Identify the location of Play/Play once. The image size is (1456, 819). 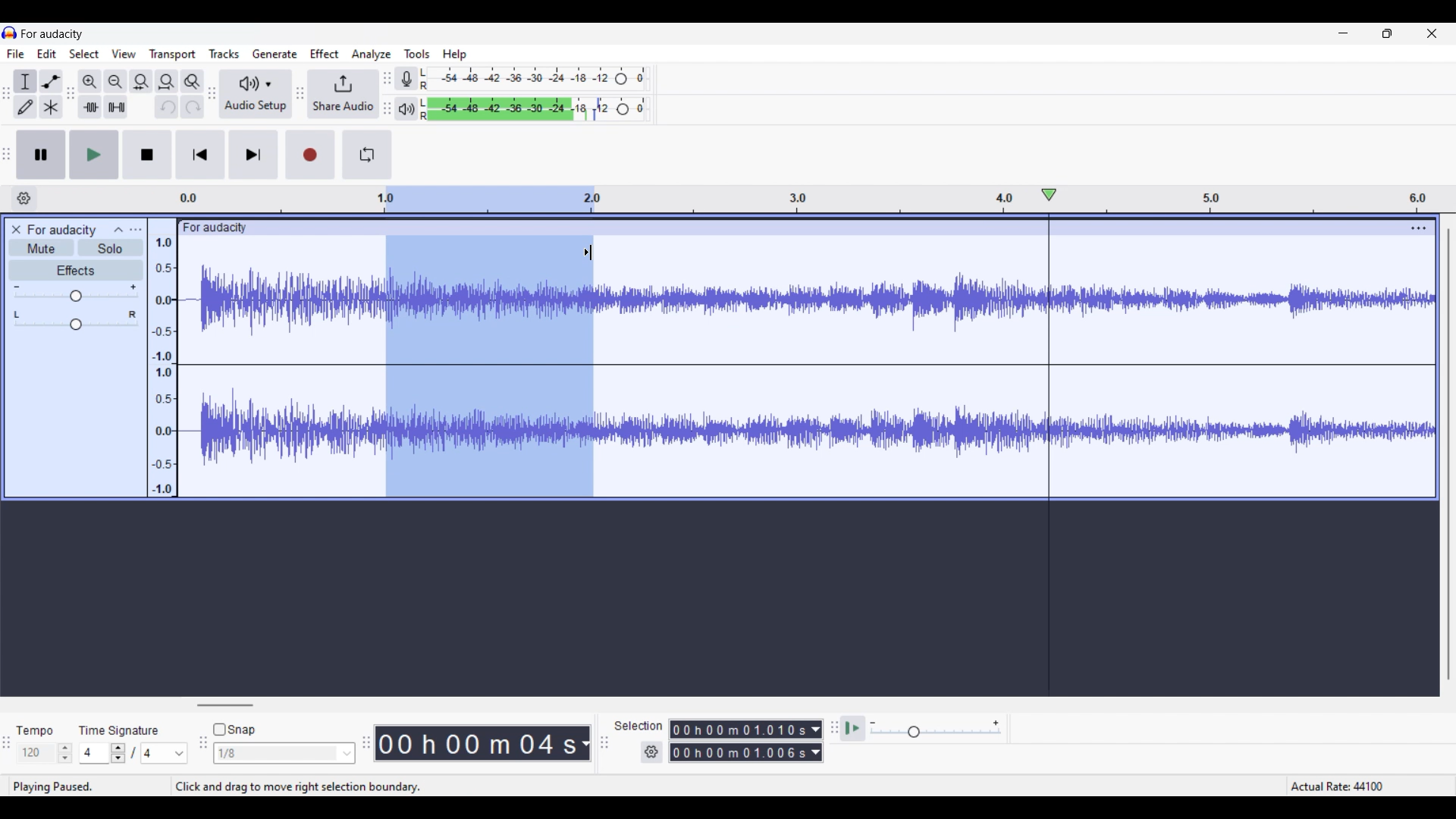
(94, 155).